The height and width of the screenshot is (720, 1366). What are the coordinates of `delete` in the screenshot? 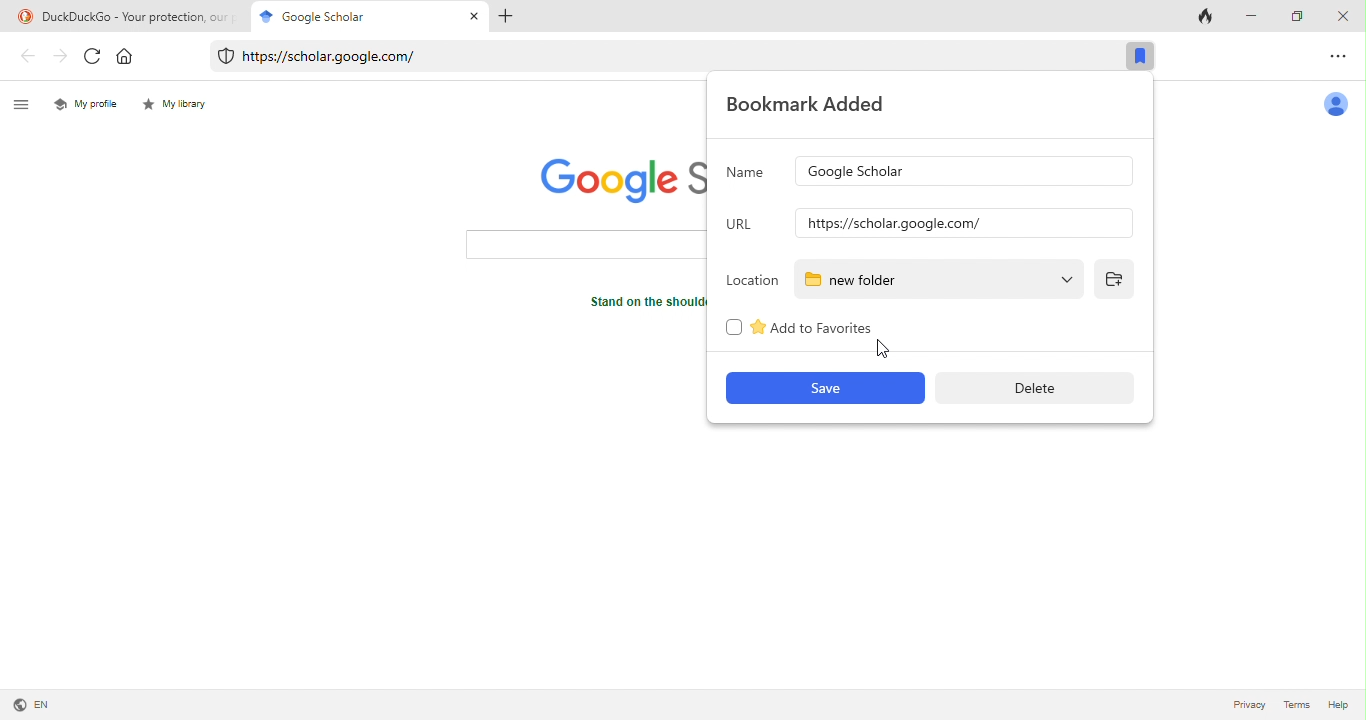 It's located at (1034, 386).